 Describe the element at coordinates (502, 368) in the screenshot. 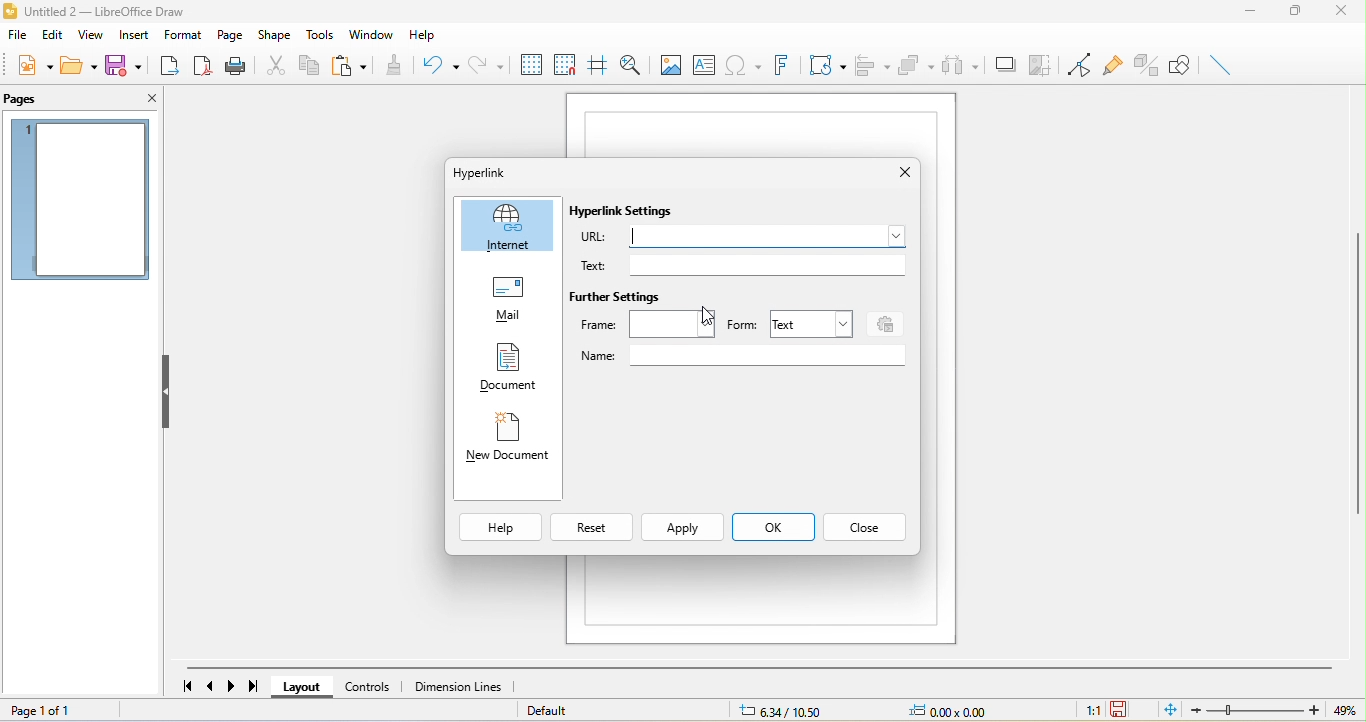

I see `document` at that location.